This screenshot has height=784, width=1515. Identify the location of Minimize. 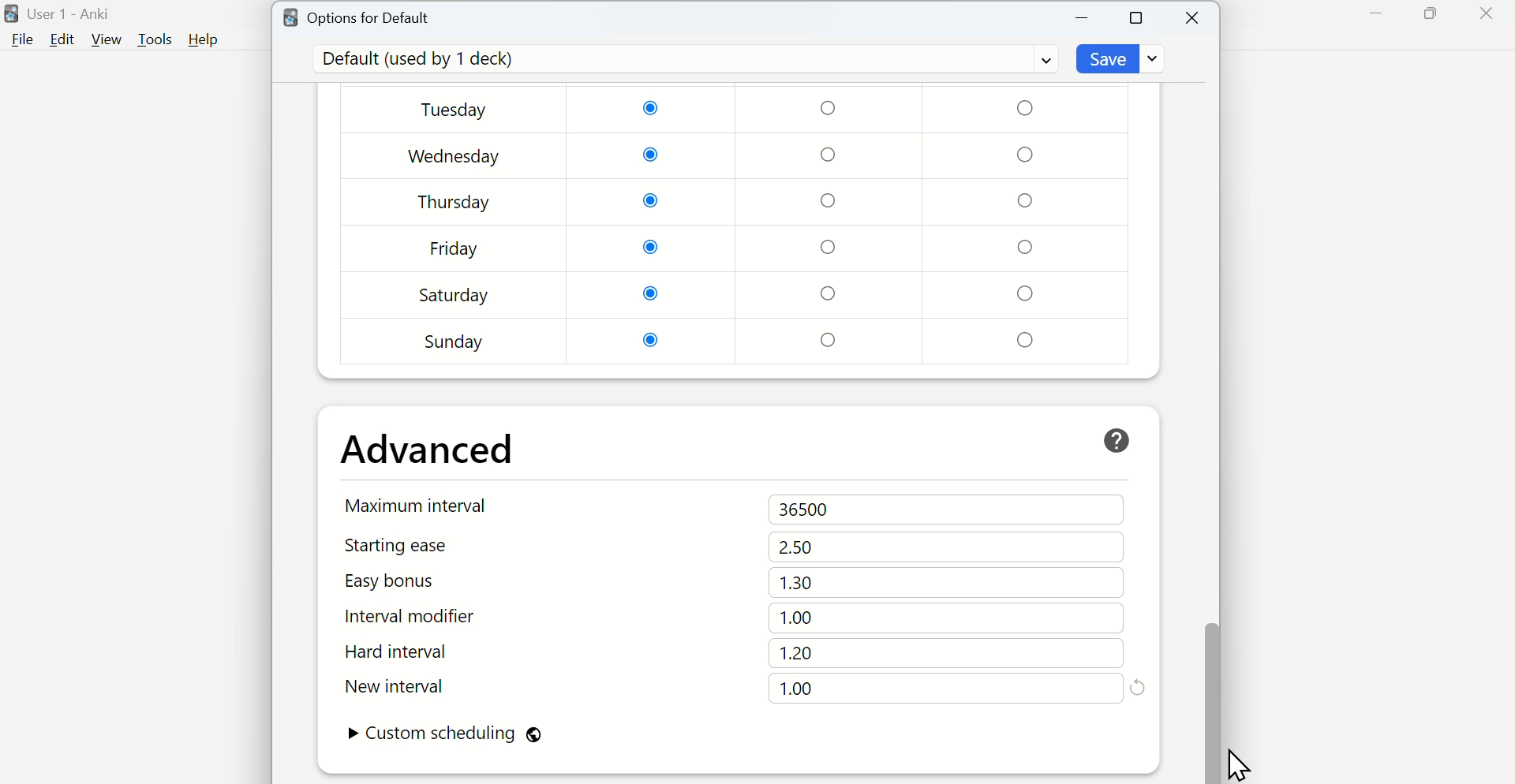
(1377, 14).